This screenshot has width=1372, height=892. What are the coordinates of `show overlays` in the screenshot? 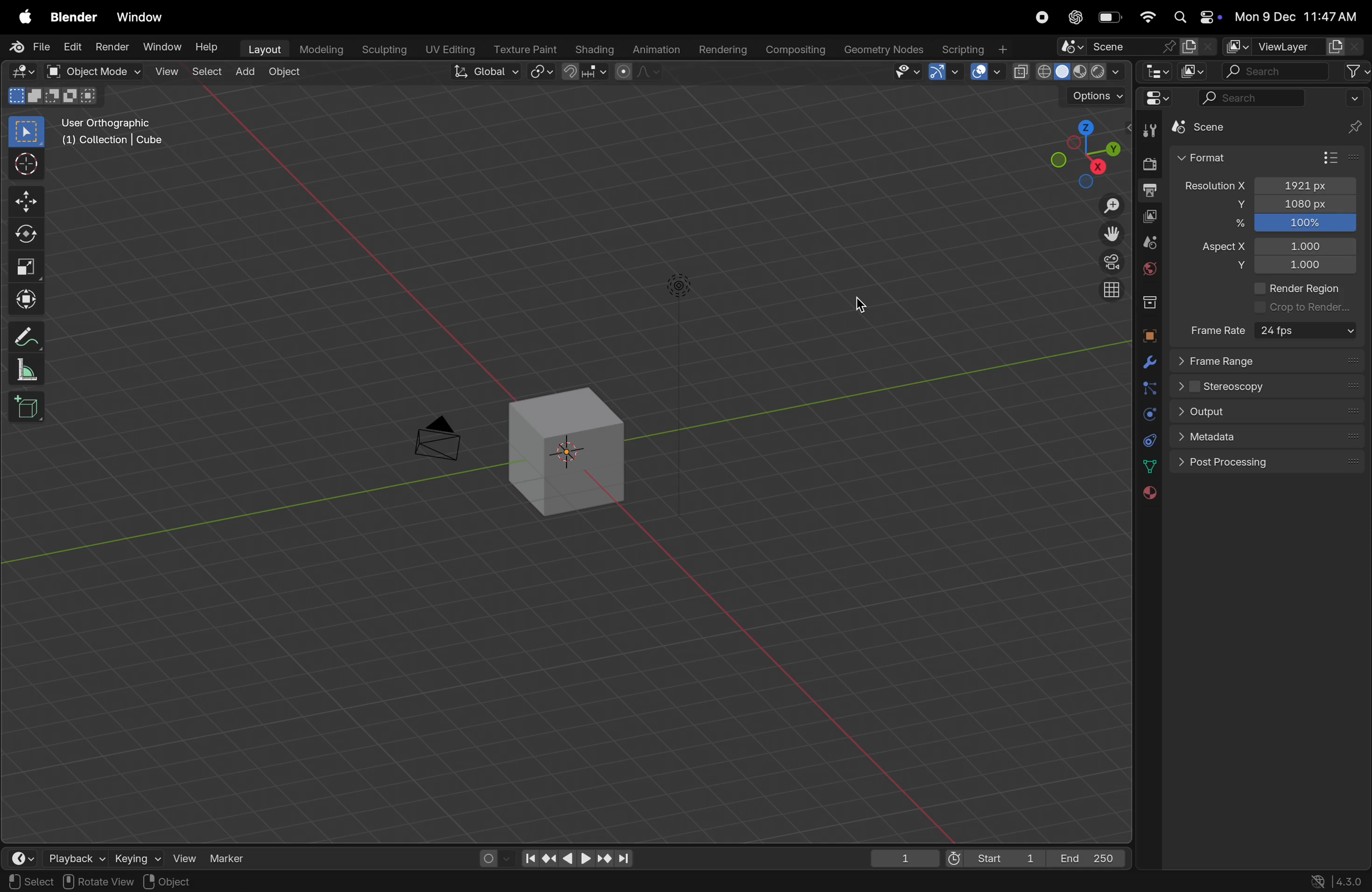 It's located at (981, 73).